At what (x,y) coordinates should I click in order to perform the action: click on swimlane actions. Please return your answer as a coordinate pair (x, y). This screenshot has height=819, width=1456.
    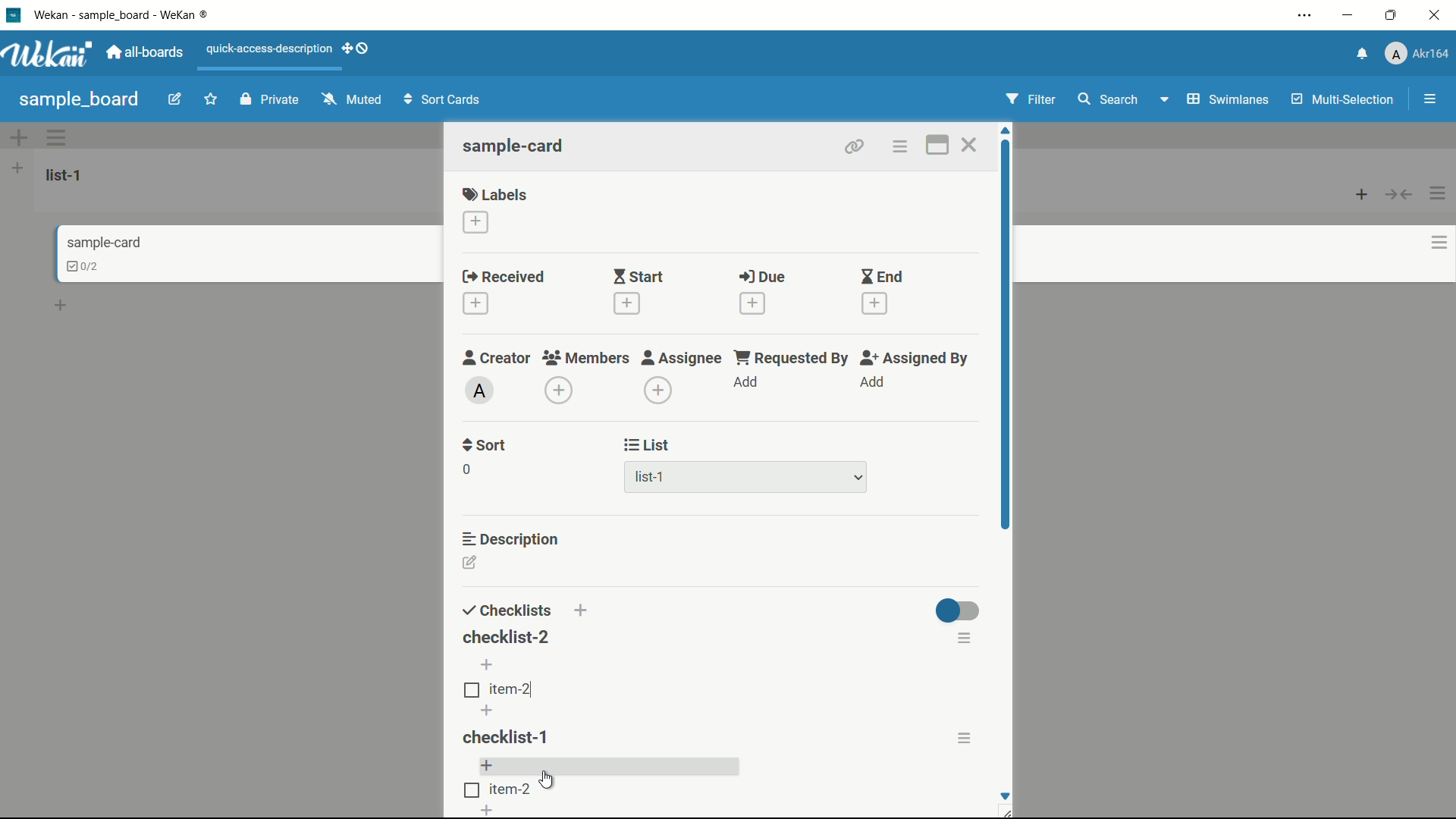
    Looking at the image, I should click on (58, 137).